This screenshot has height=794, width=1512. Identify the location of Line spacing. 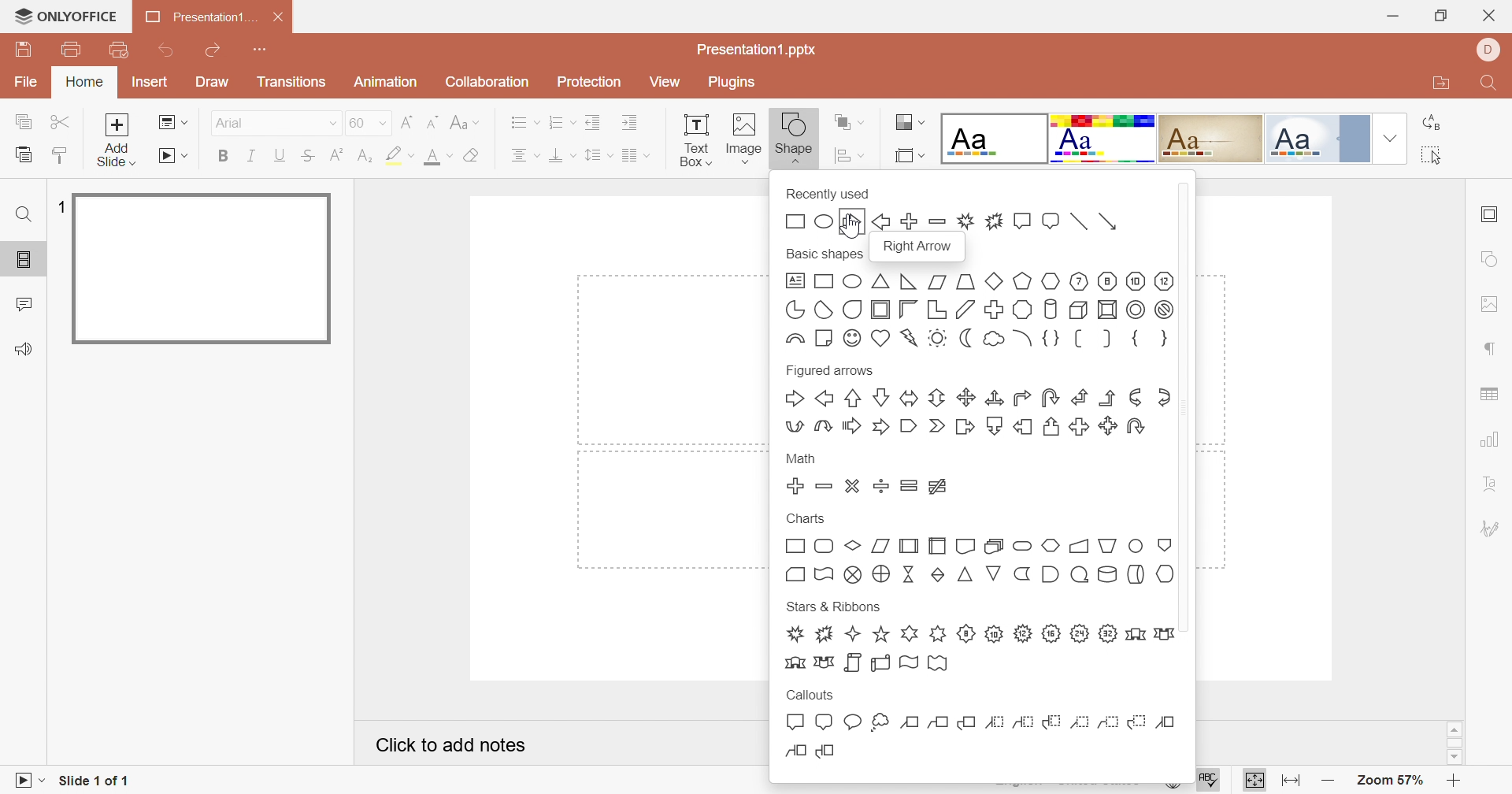
(599, 155).